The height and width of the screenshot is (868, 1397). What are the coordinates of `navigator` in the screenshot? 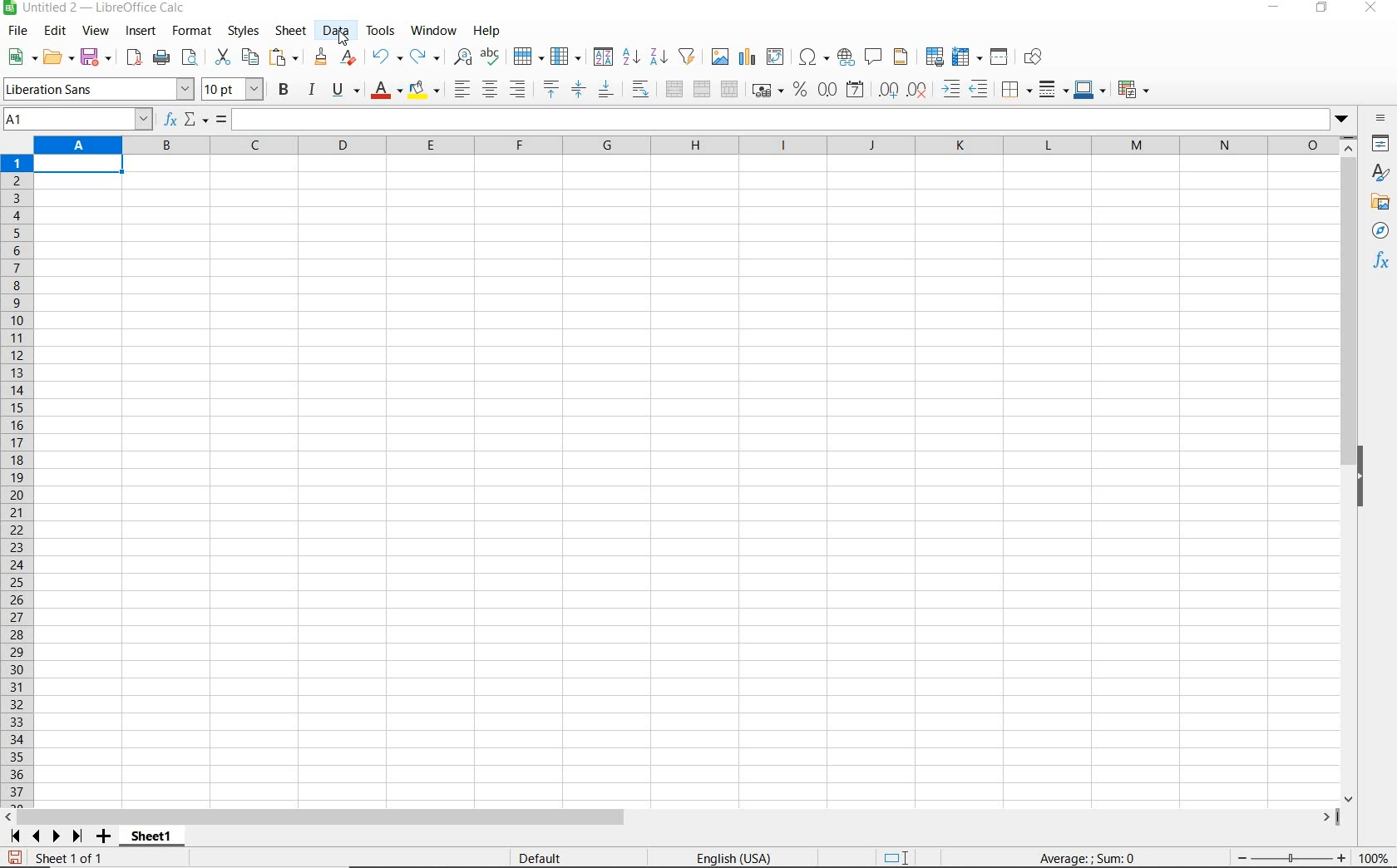 It's located at (1380, 230).